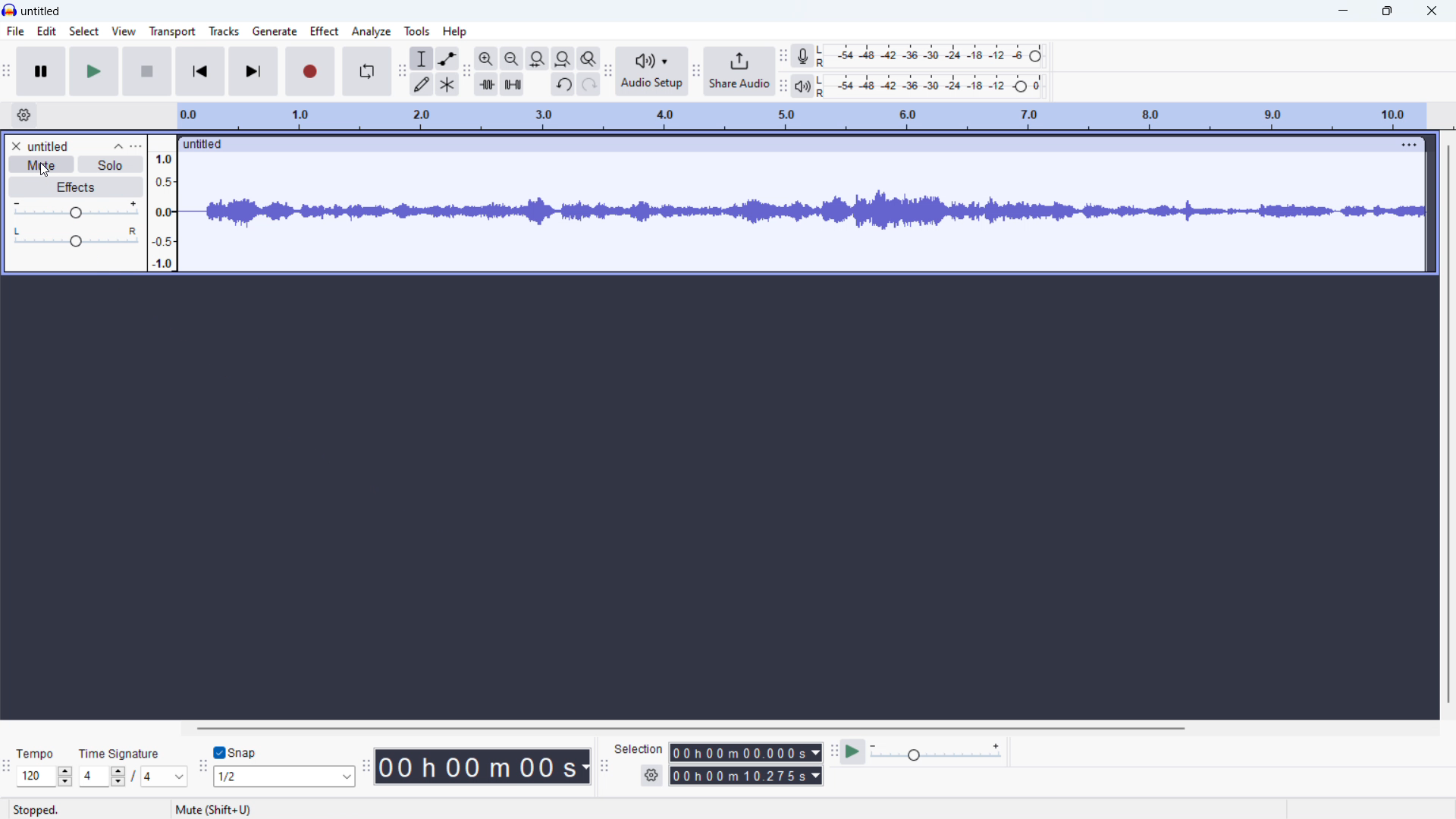 This screenshot has width=1456, height=819. Describe the element at coordinates (1430, 11) in the screenshot. I see `close` at that location.